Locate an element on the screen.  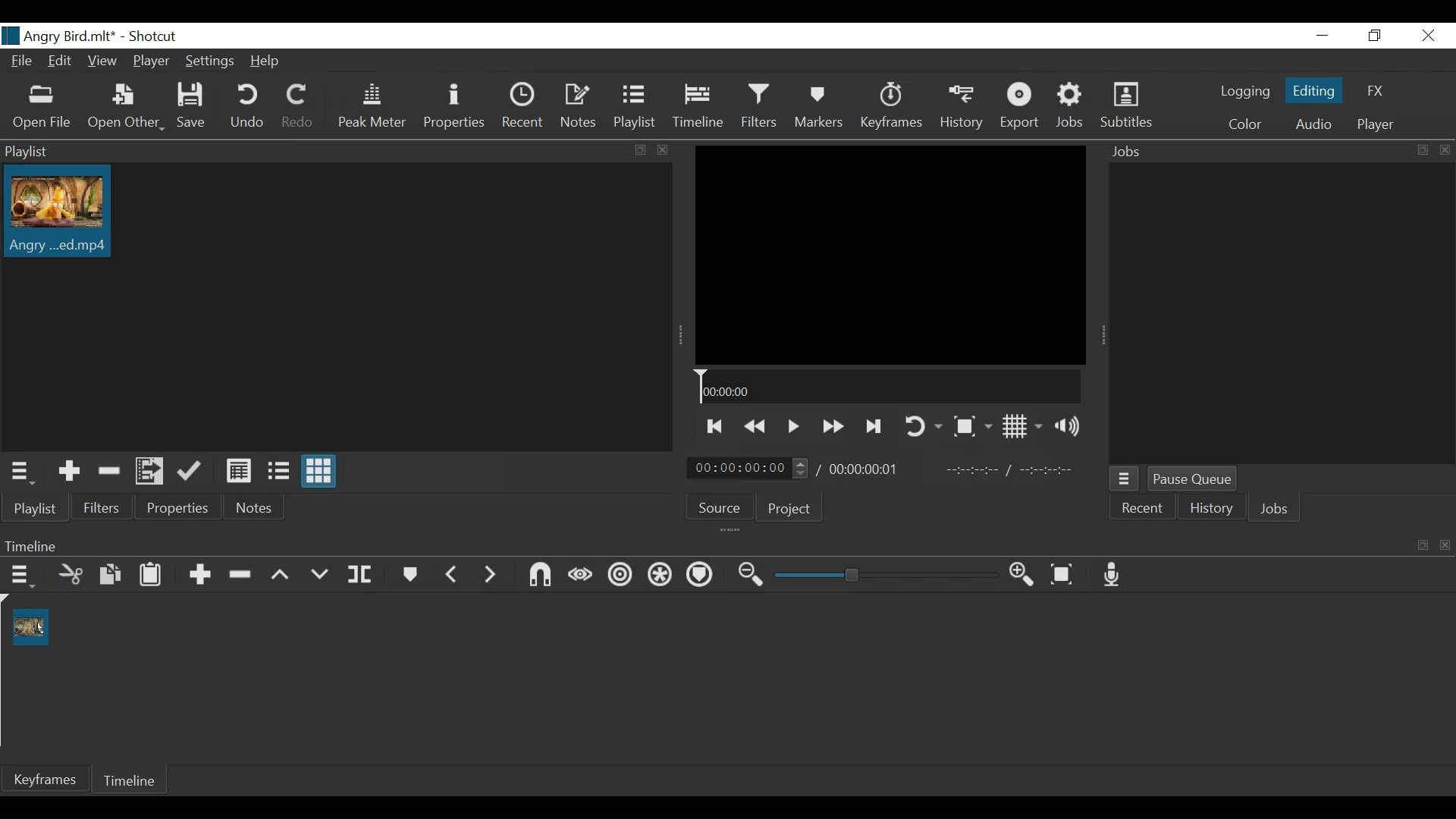
markers is located at coordinates (409, 574).